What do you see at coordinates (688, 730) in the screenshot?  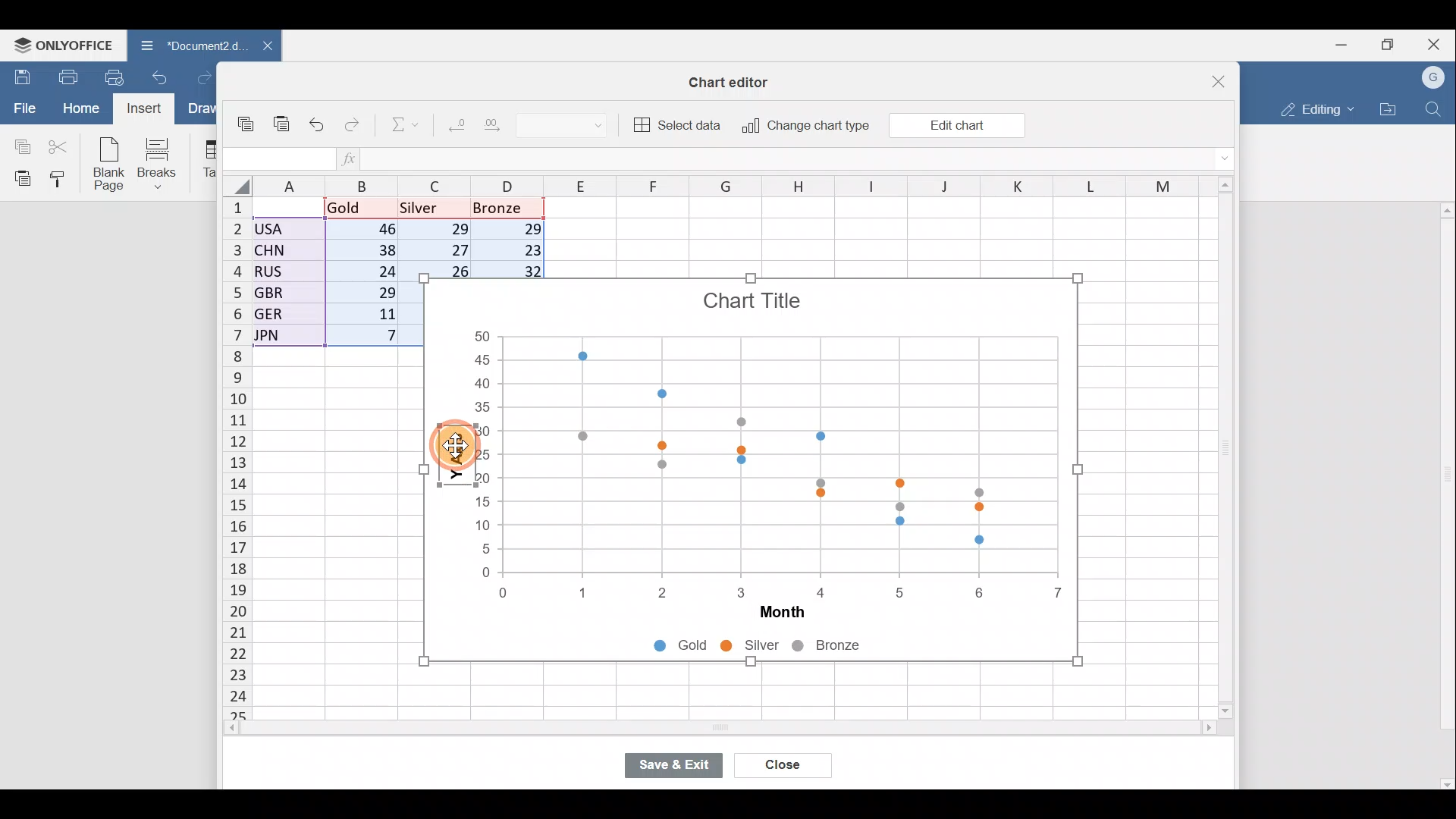 I see `Scroll bar` at bounding box center [688, 730].